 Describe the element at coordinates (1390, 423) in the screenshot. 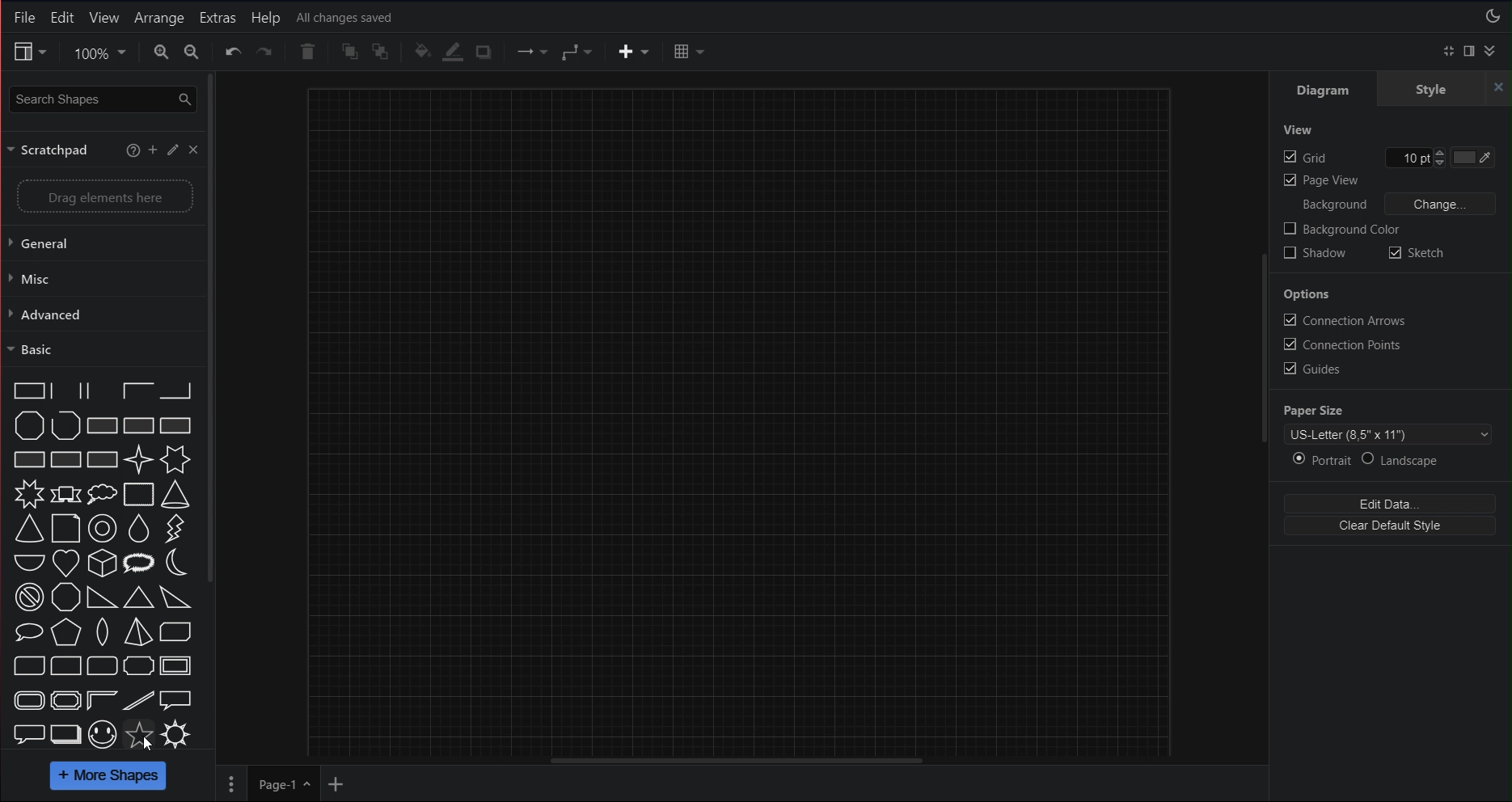

I see `Paper Size Adjuster` at that location.